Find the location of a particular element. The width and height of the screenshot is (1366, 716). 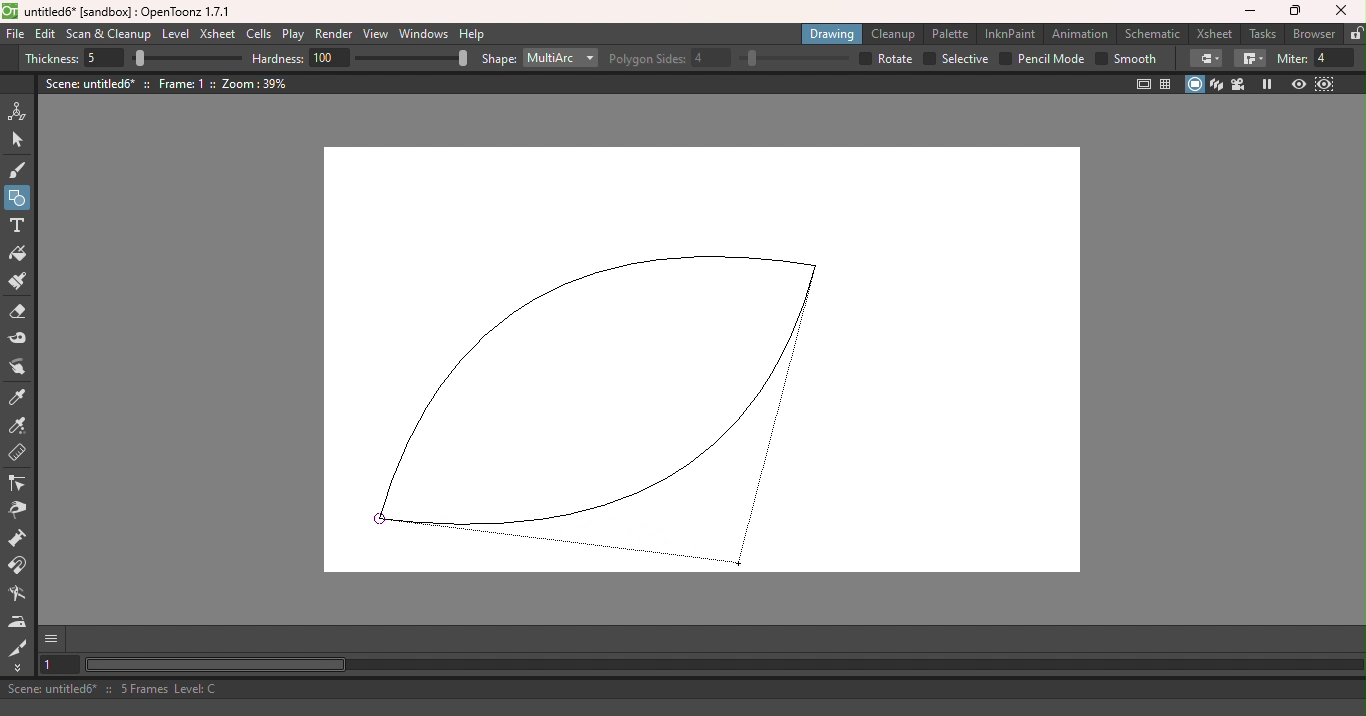

Geometric tool is located at coordinates (18, 198).